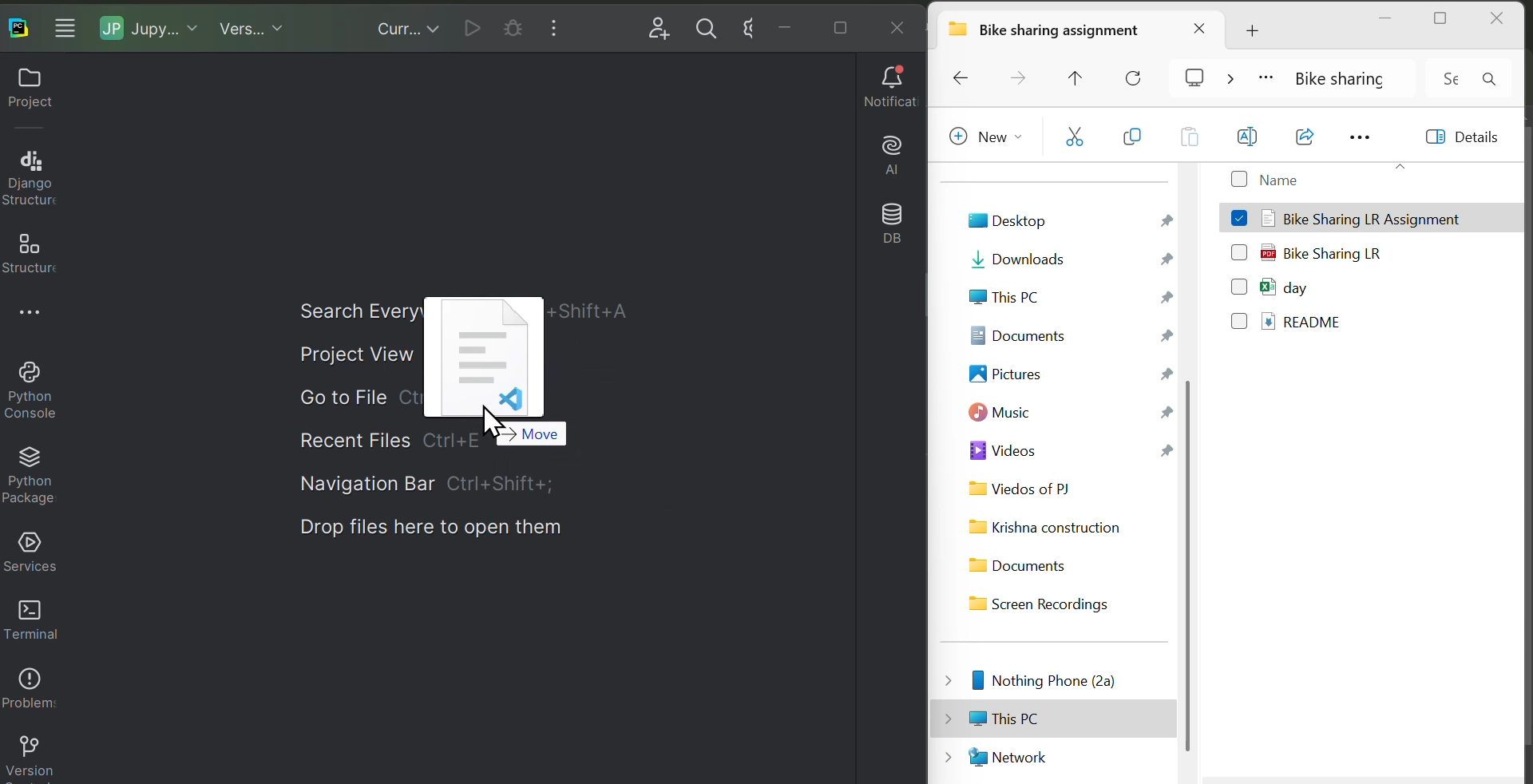  What do you see at coordinates (352, 401) in the screenshot?
I see `Go to file` at bounding box center [352, 401].